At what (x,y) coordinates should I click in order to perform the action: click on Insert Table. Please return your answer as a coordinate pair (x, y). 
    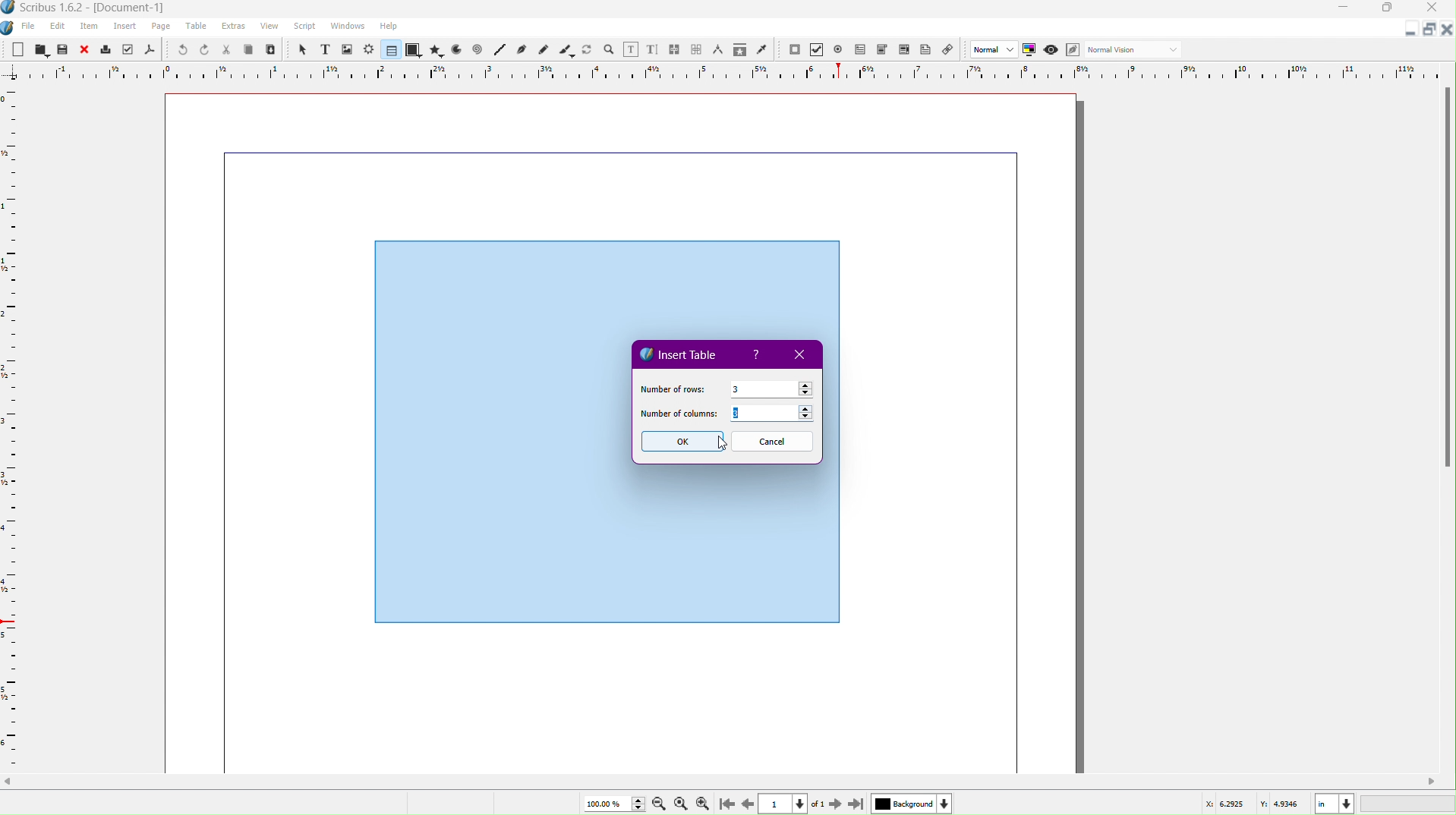
    Looking at the image, I should click on (680, 353).